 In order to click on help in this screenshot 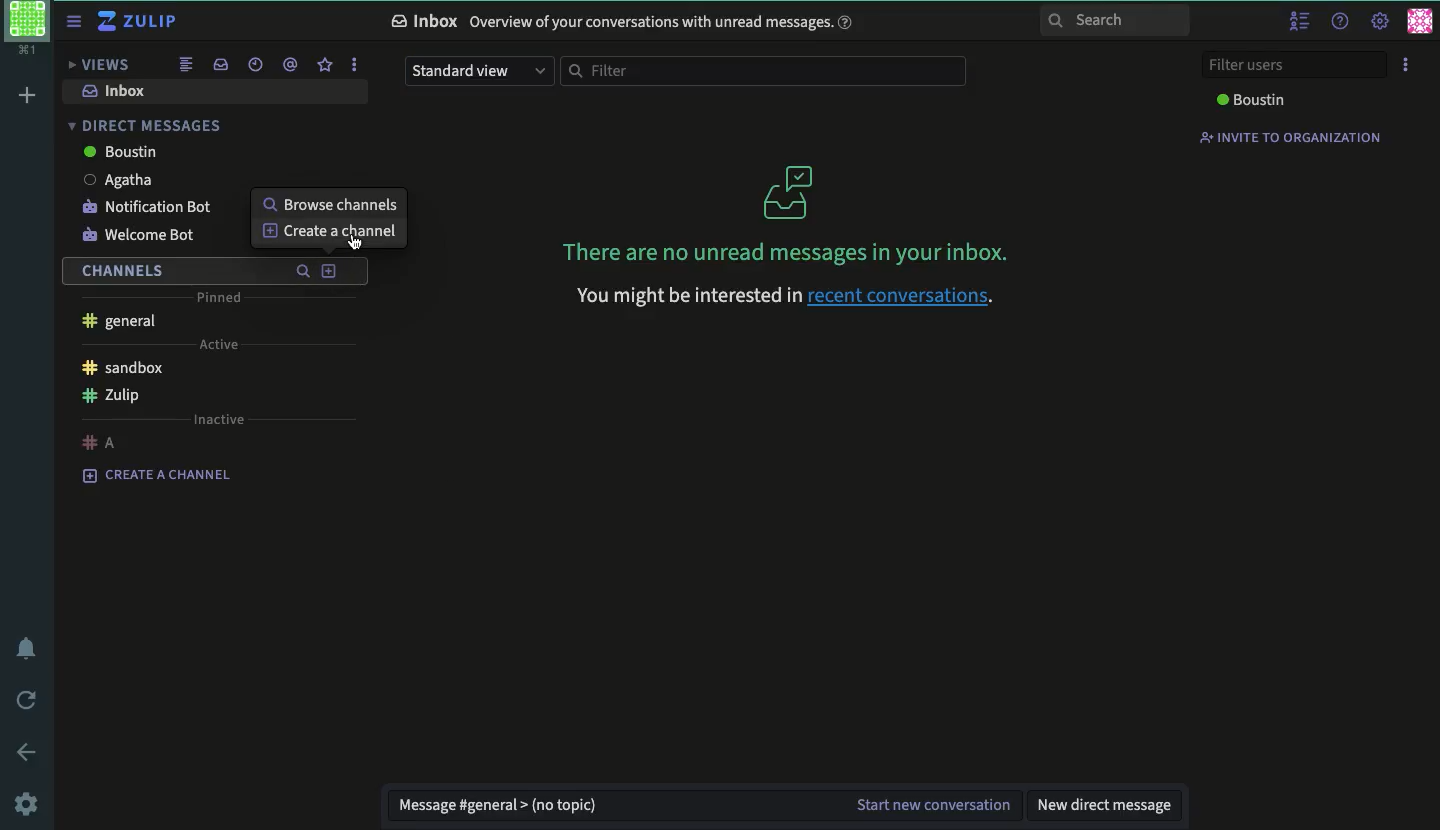, I will do `click(1340, 22)`.